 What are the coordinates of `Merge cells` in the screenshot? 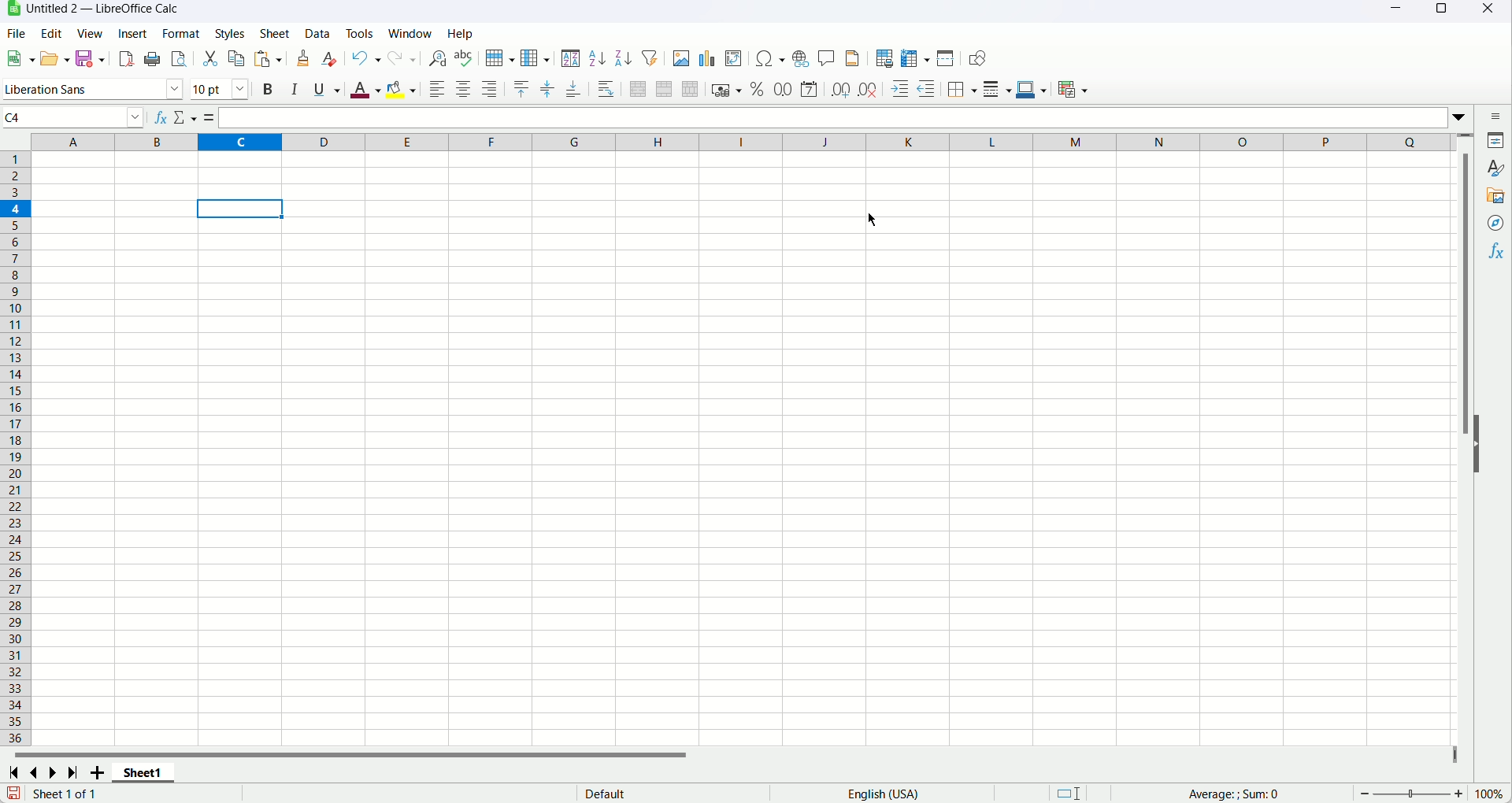 It's located at (664, 89).